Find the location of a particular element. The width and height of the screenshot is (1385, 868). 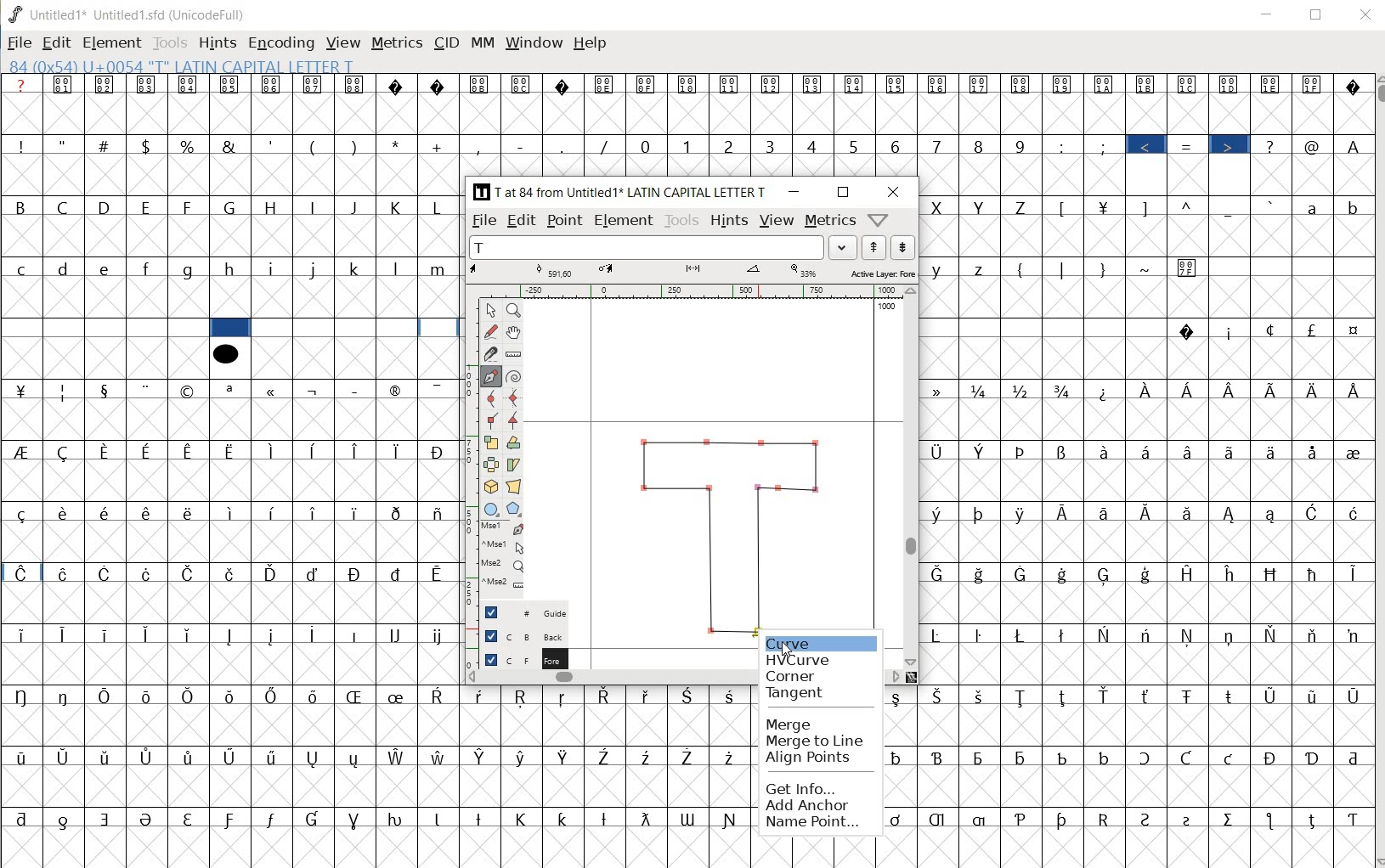

Symbol is located at coordinates (1105, 634).